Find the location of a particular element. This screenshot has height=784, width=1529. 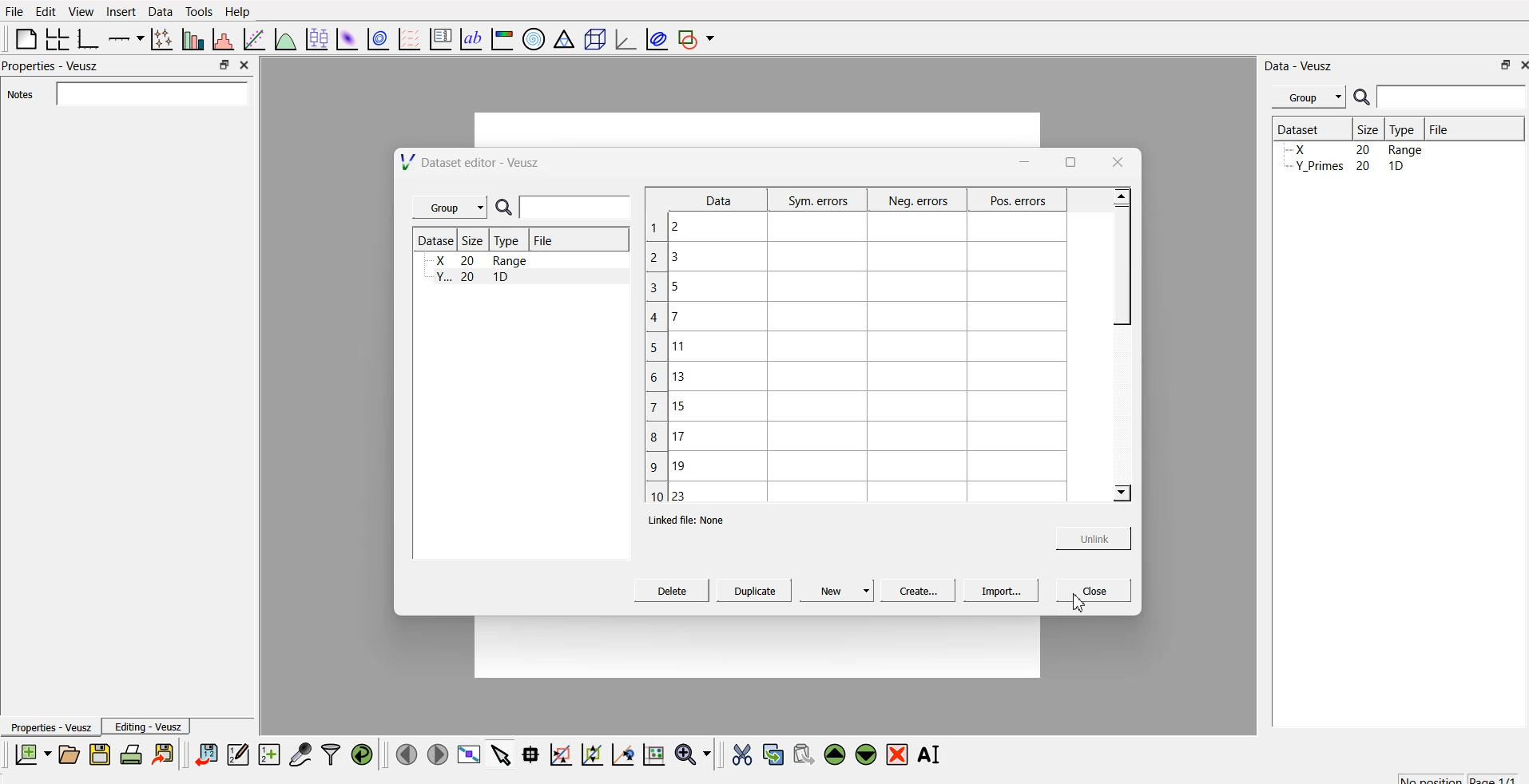

Sym. errors is located at coordinates (817, 200).